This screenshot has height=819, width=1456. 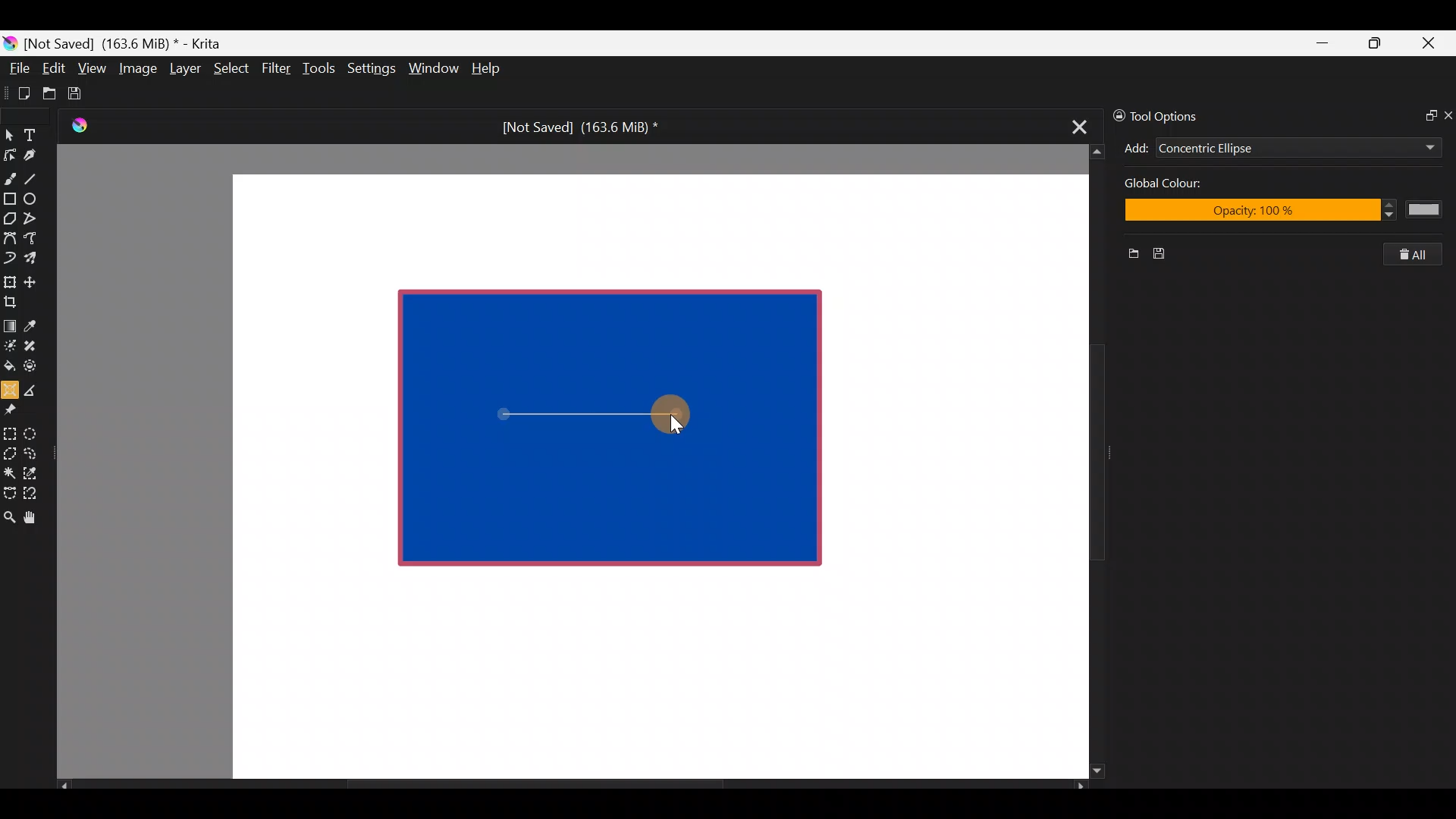 What do you see at coordinates (10, 173) in the screenshot?
I see `Freehand brush tool` at bounding box center [10, 173].